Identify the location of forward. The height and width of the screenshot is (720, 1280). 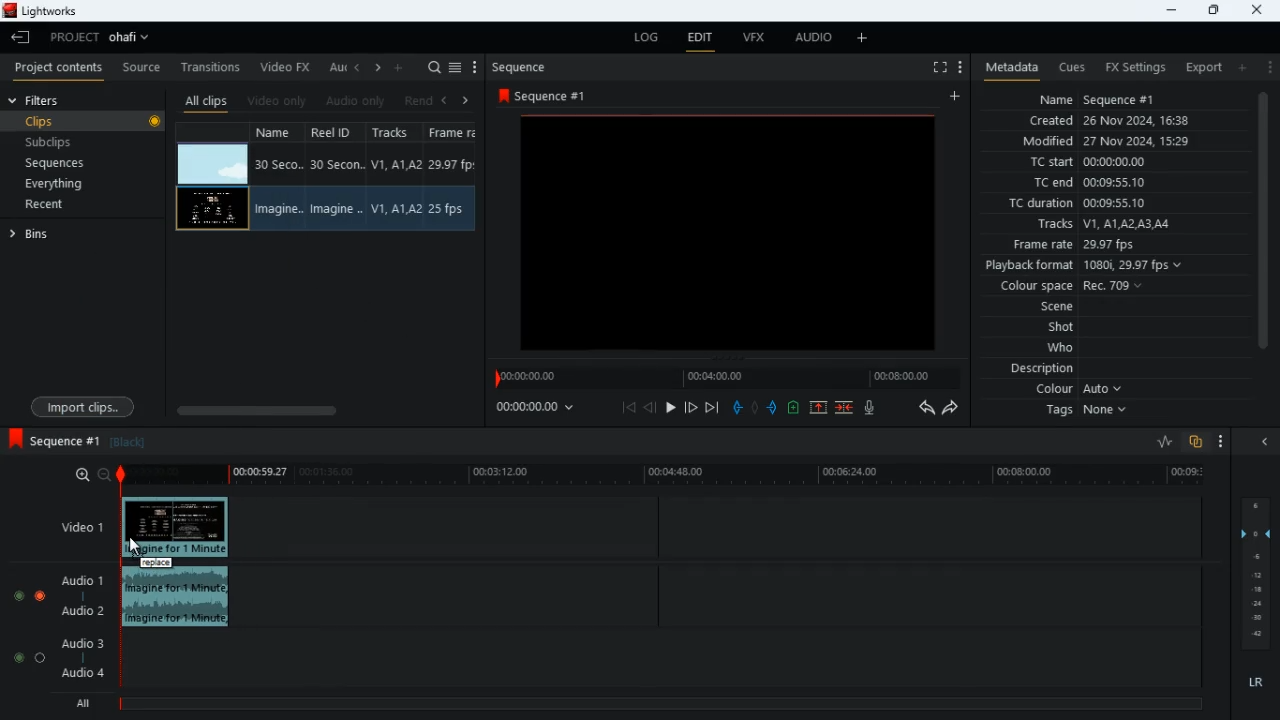
(952, 409).